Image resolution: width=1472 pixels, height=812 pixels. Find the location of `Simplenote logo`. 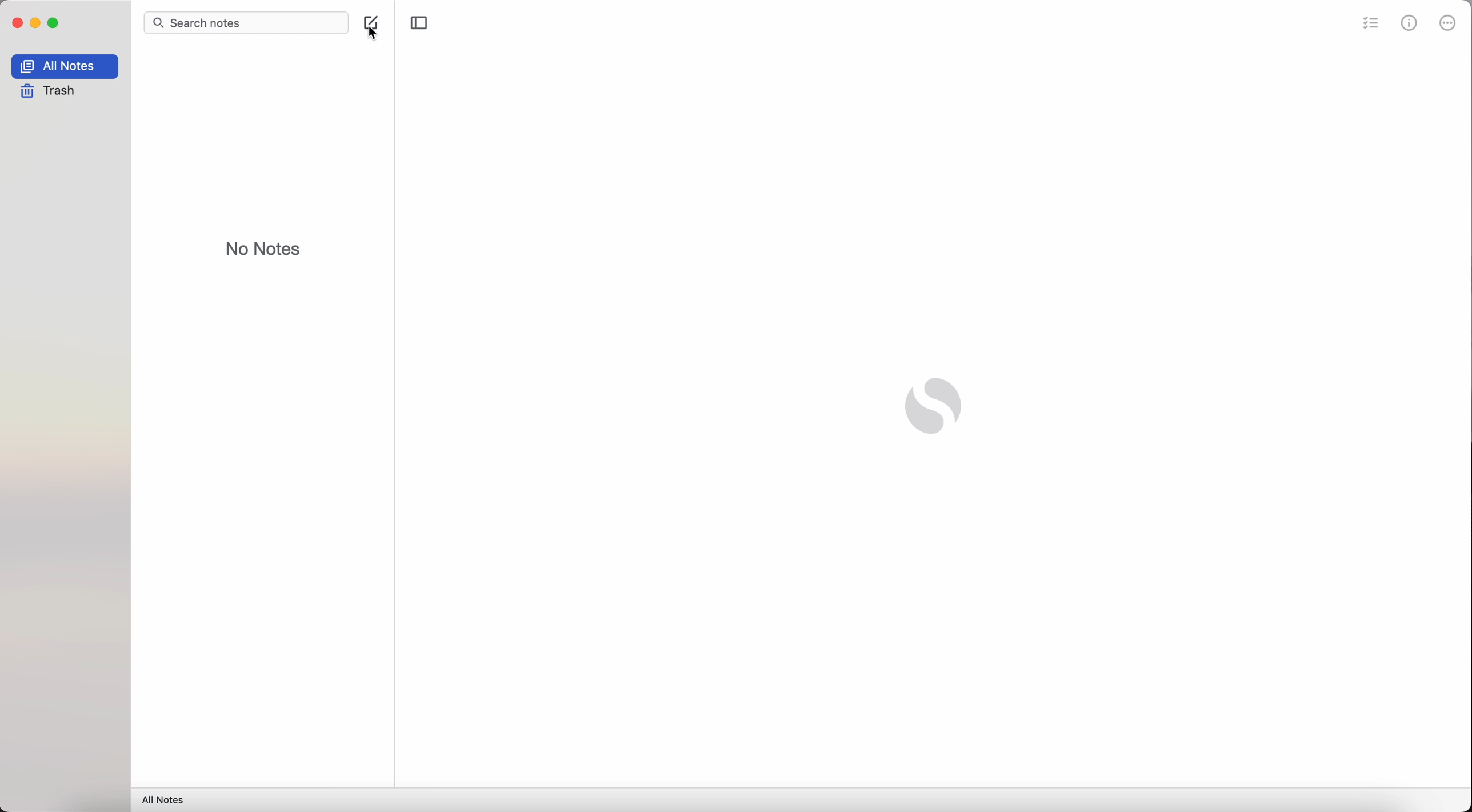

Simplenote logo is located at coordinates (938, 407).